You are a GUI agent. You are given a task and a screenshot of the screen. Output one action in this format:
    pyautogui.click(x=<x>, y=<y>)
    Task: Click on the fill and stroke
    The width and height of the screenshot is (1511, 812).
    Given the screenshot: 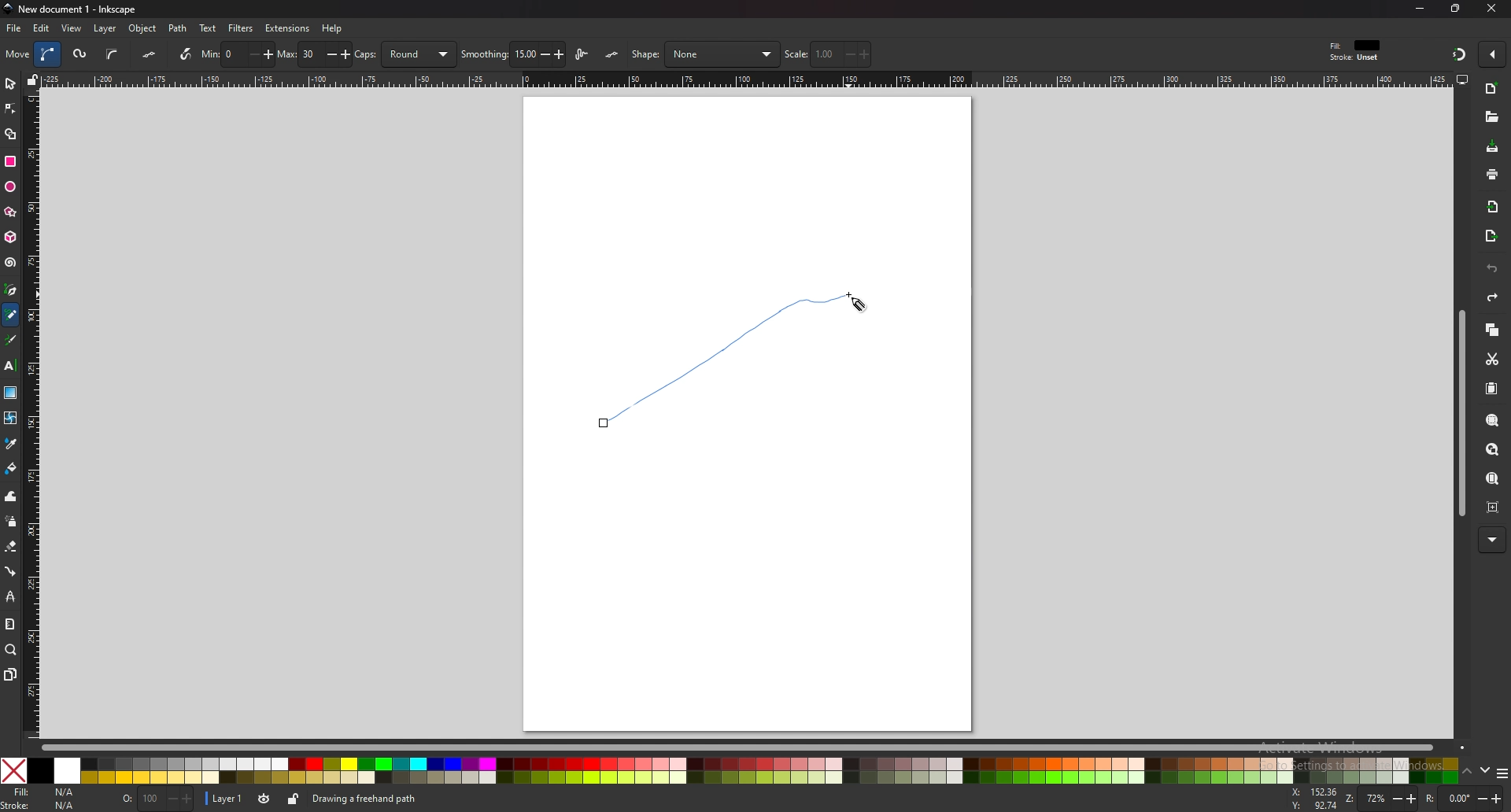 What is the action you would take?
    pyautogui.click(x=1356, y=49)
    